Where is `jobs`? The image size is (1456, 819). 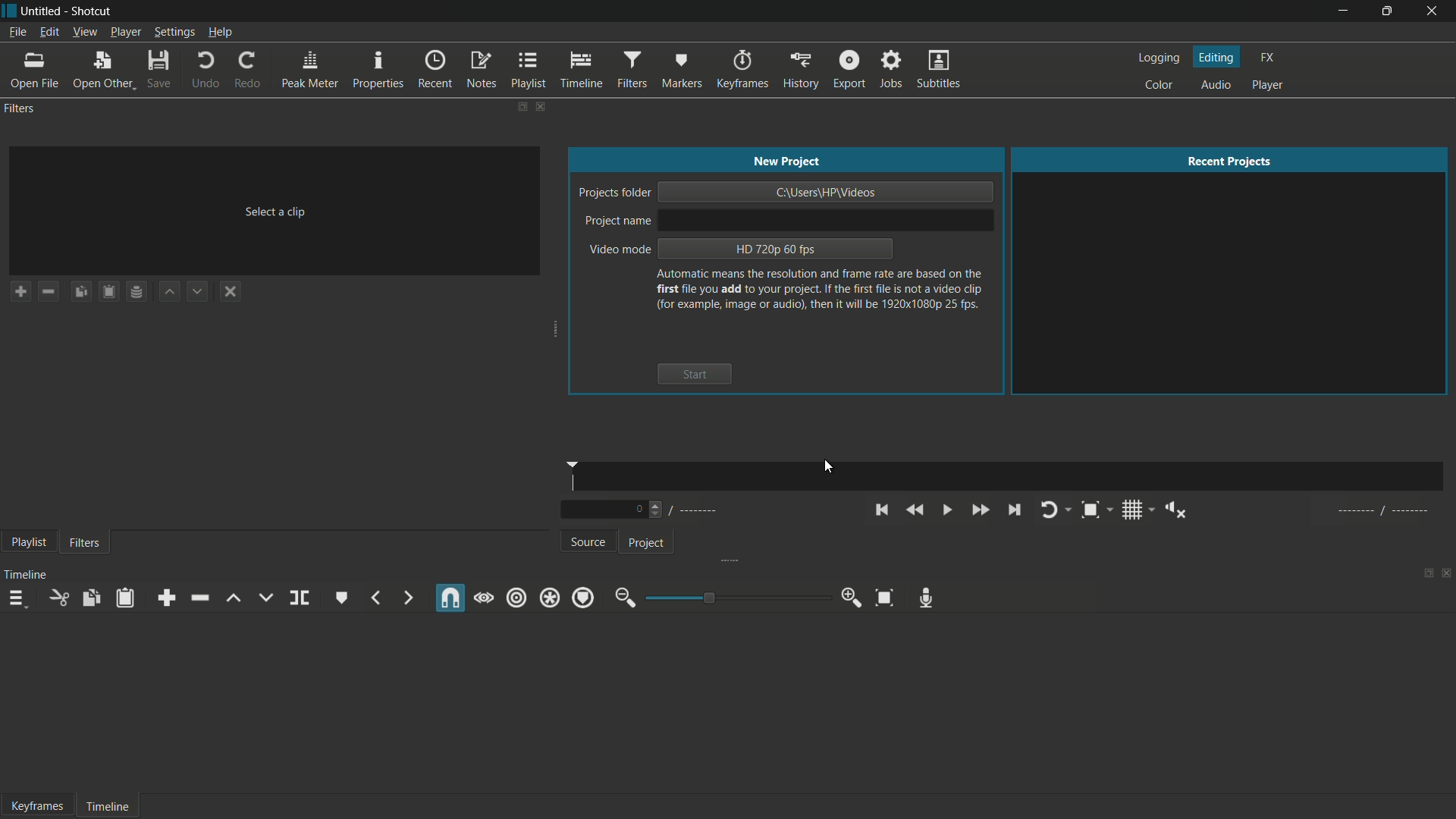
jobs is located at coordinates (892, 69).